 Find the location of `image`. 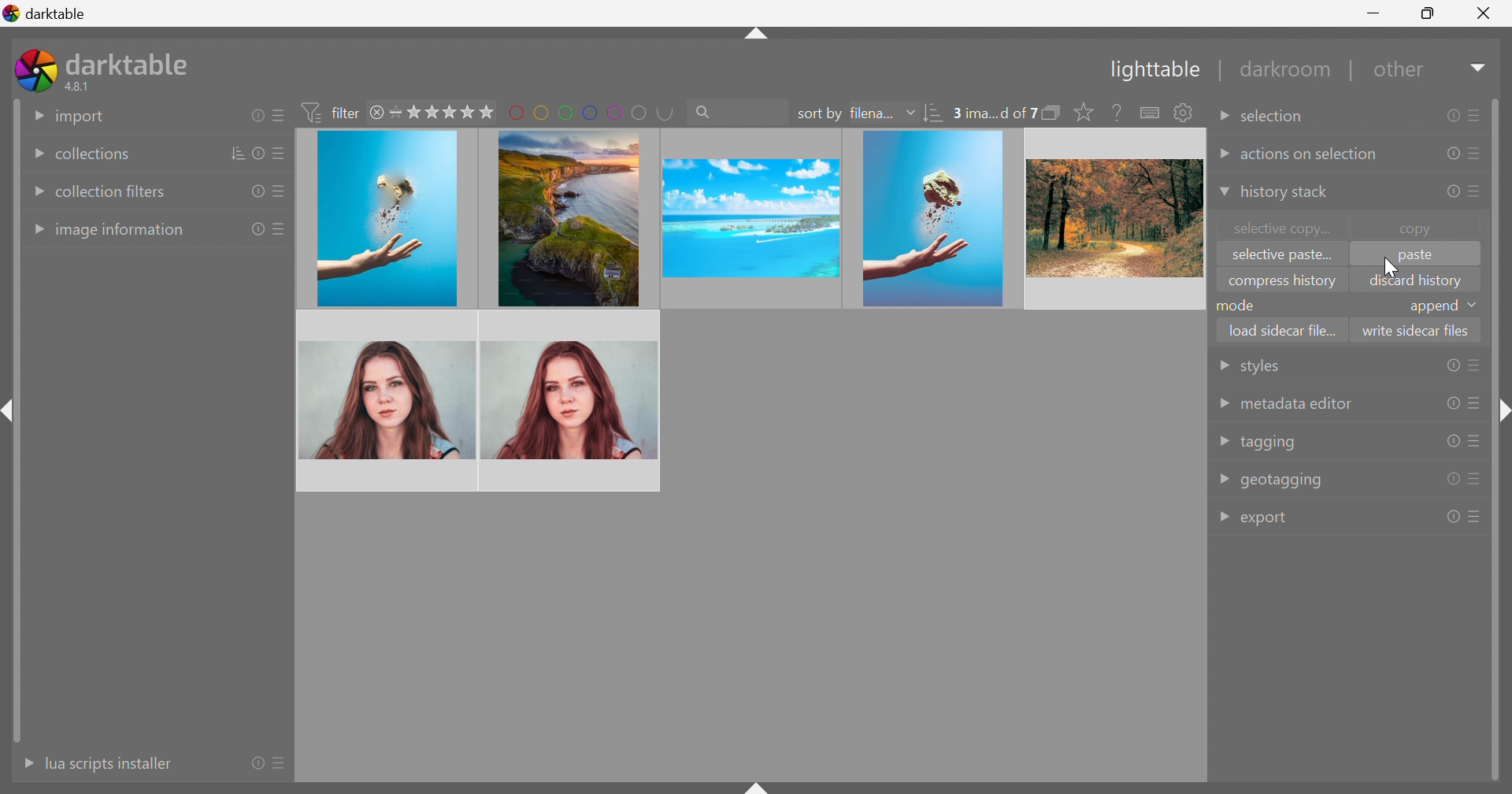

image is located at coordinates (387, 220).